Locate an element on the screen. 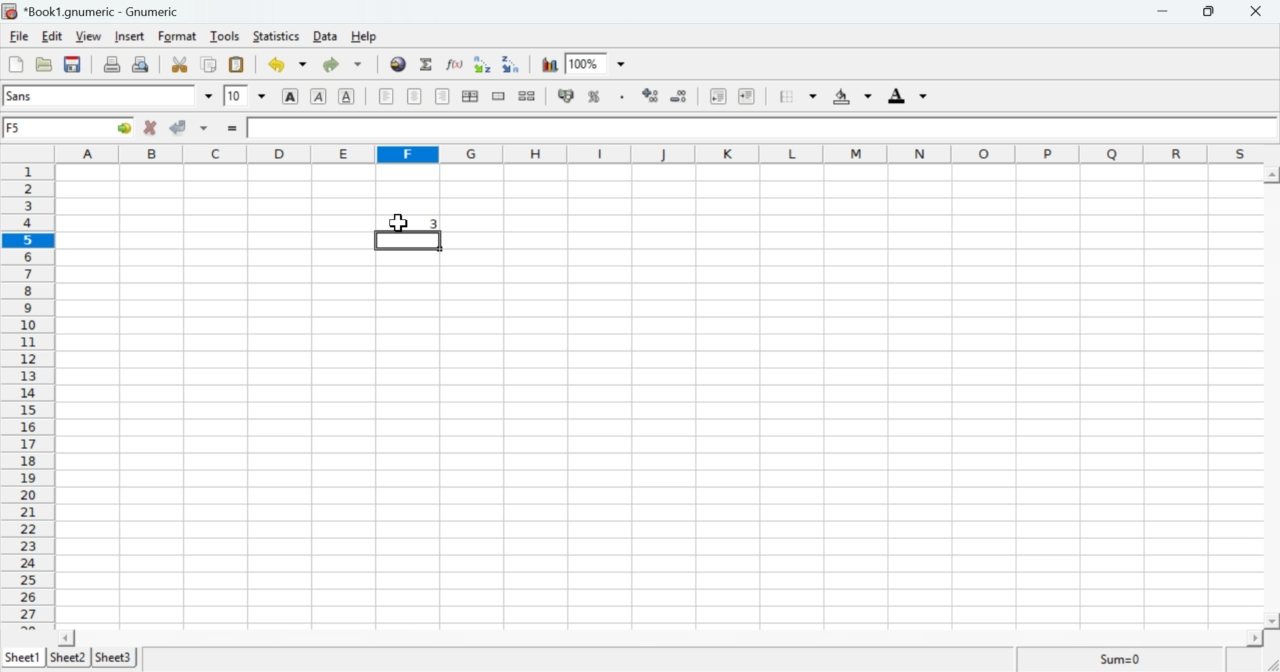 The width and height of the screenshot is (1280, 672). Close is located at coordinates (1257, 12).